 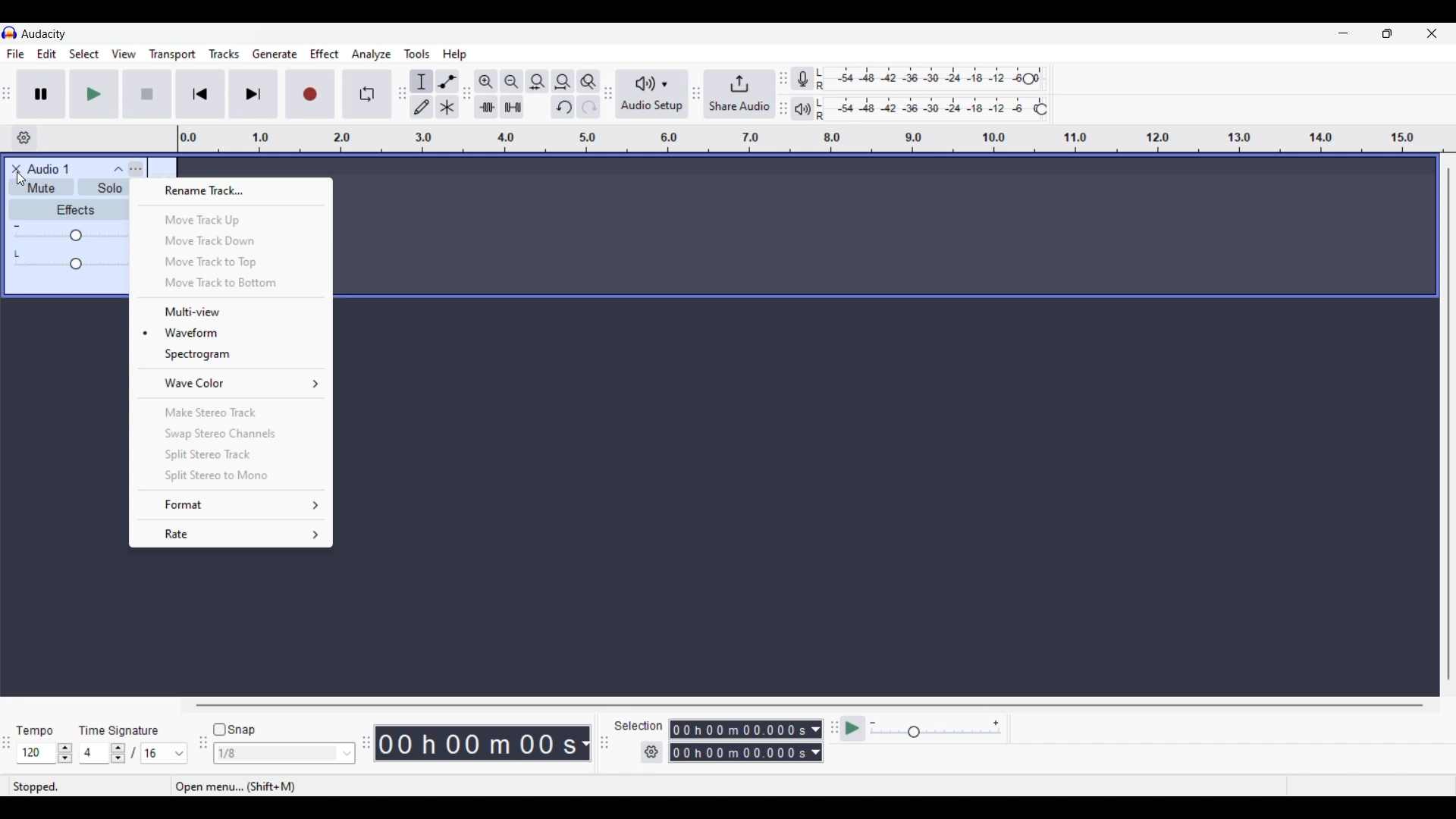 I want to click on Metrics to calculate recording, so click(x=585, y=743).